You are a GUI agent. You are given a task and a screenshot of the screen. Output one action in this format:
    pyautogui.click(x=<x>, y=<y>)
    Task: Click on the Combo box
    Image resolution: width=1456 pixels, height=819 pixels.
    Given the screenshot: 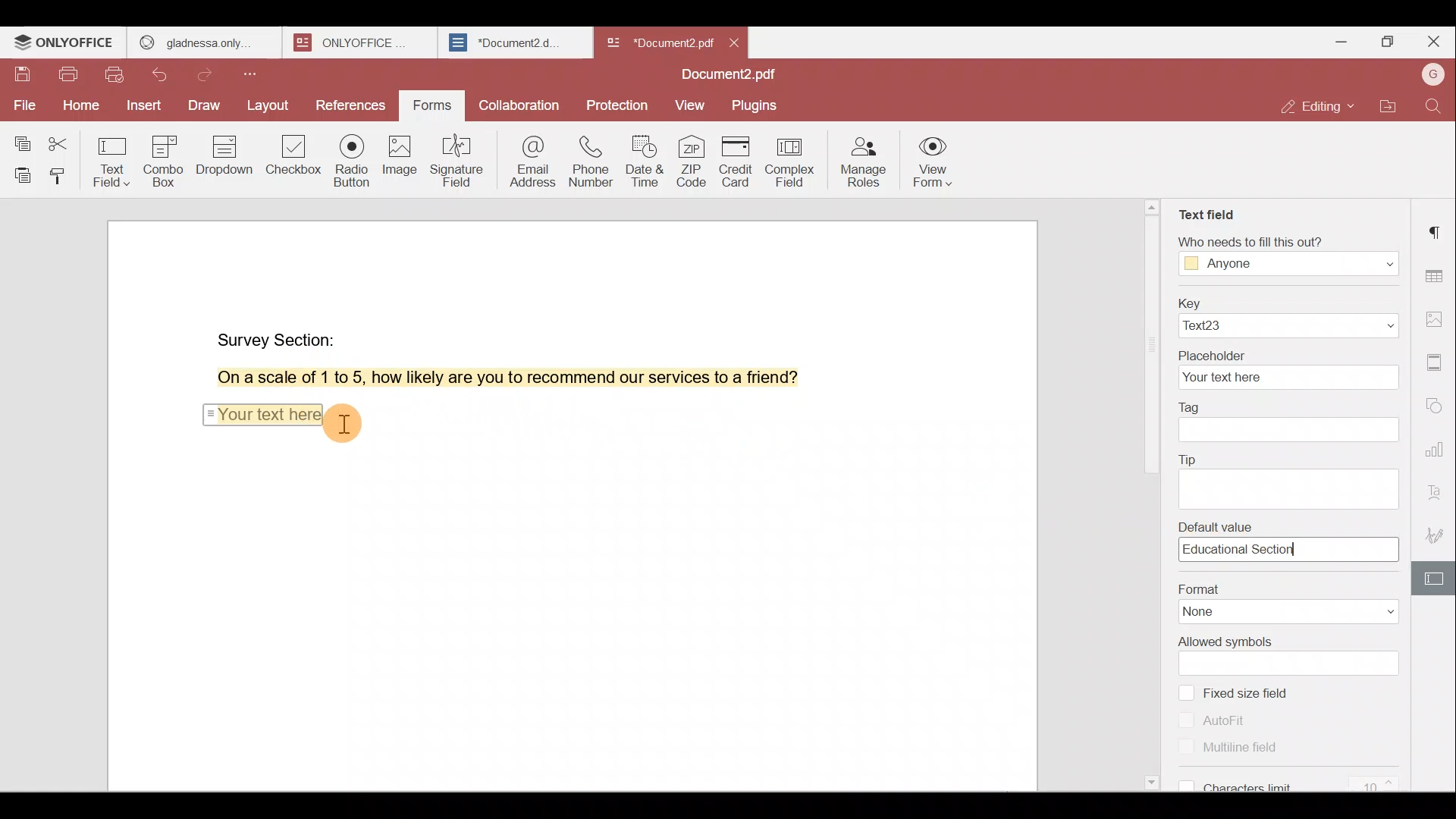 What is the action you would take?
    pyautogui.click(x=169, y=158)
    